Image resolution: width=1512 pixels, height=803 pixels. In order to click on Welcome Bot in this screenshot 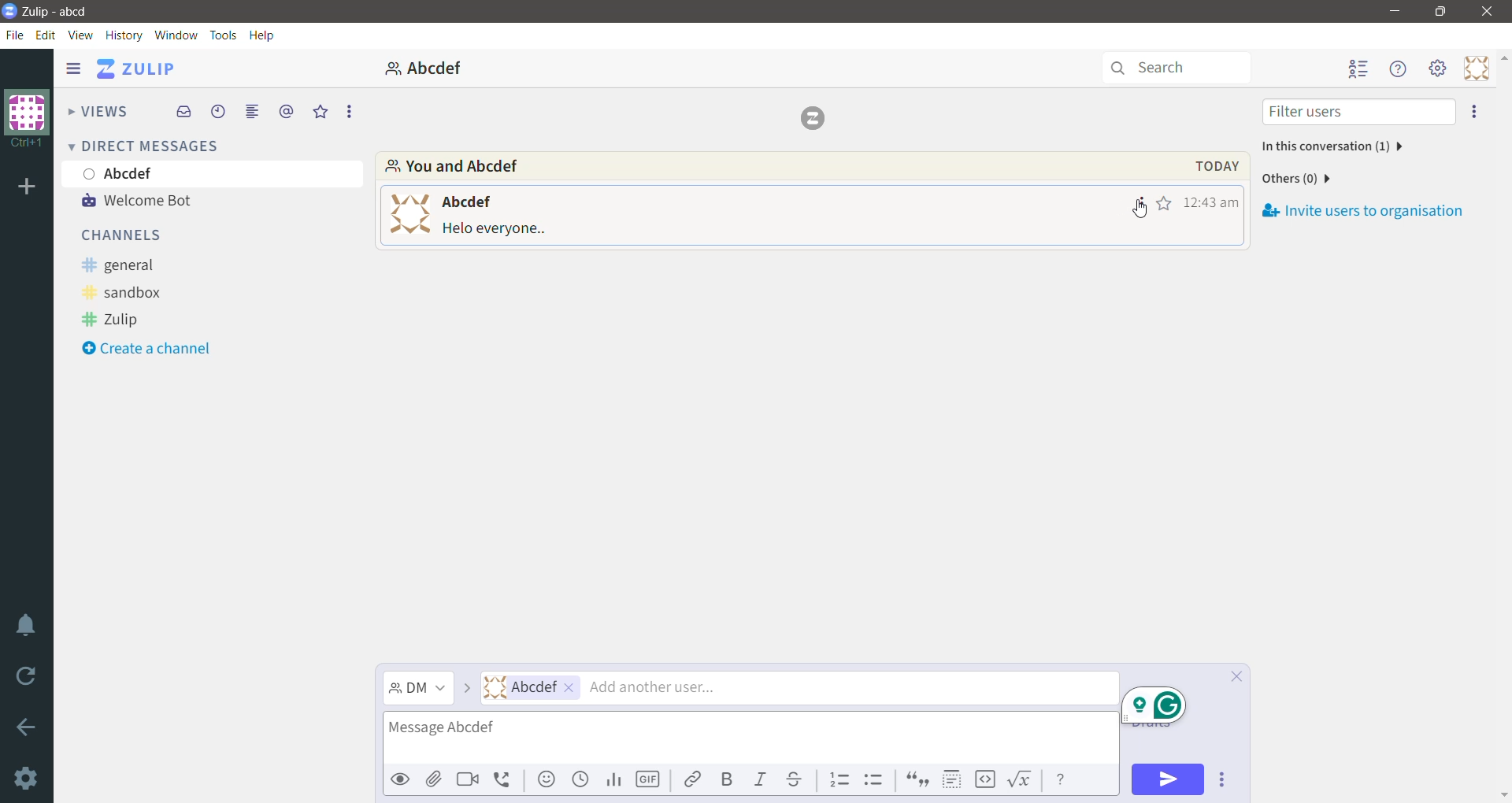, I will do `click(149, 200)`.